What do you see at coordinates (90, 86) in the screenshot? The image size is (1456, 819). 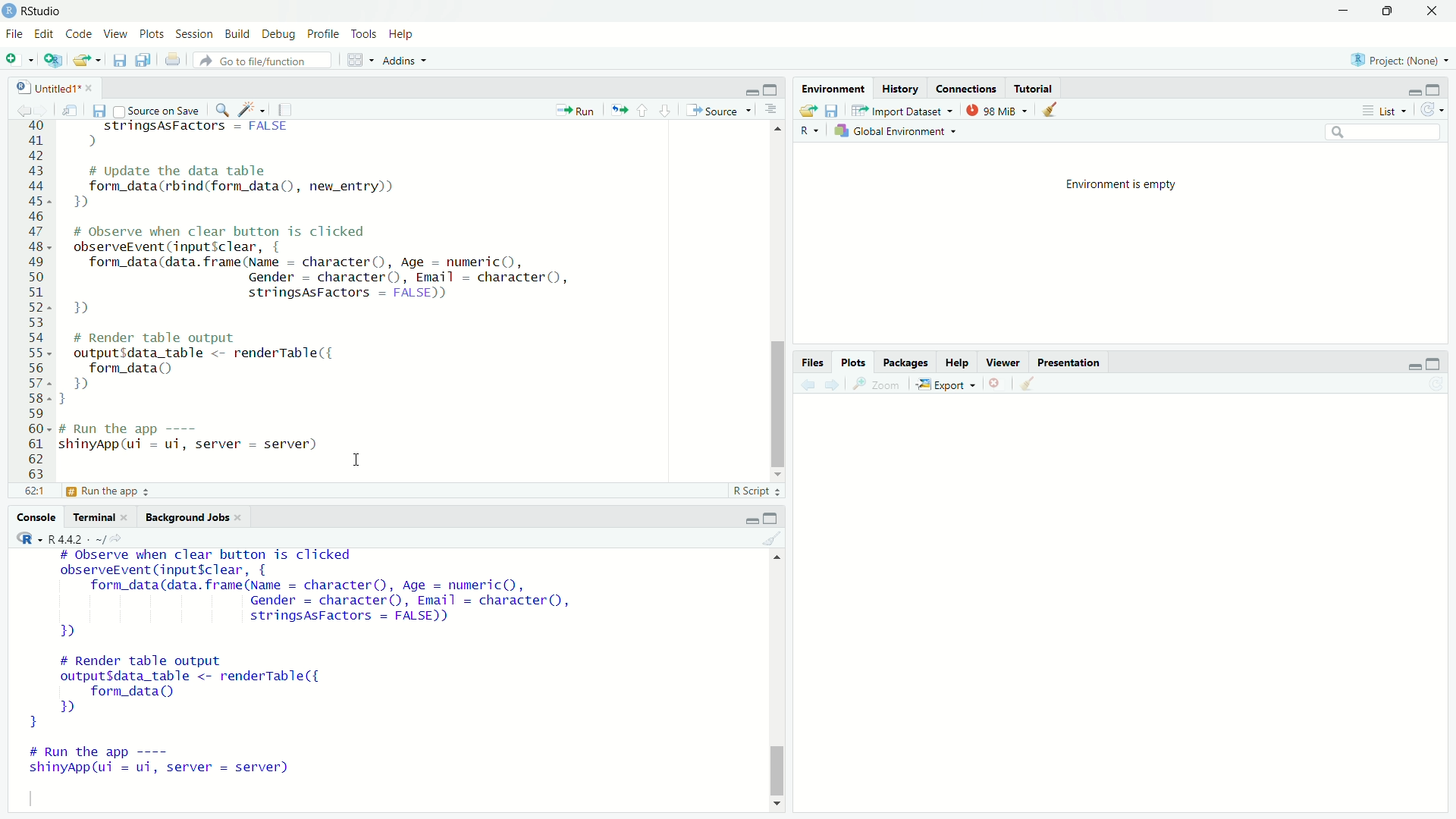 I see `close` at bounding box center [90, 86].